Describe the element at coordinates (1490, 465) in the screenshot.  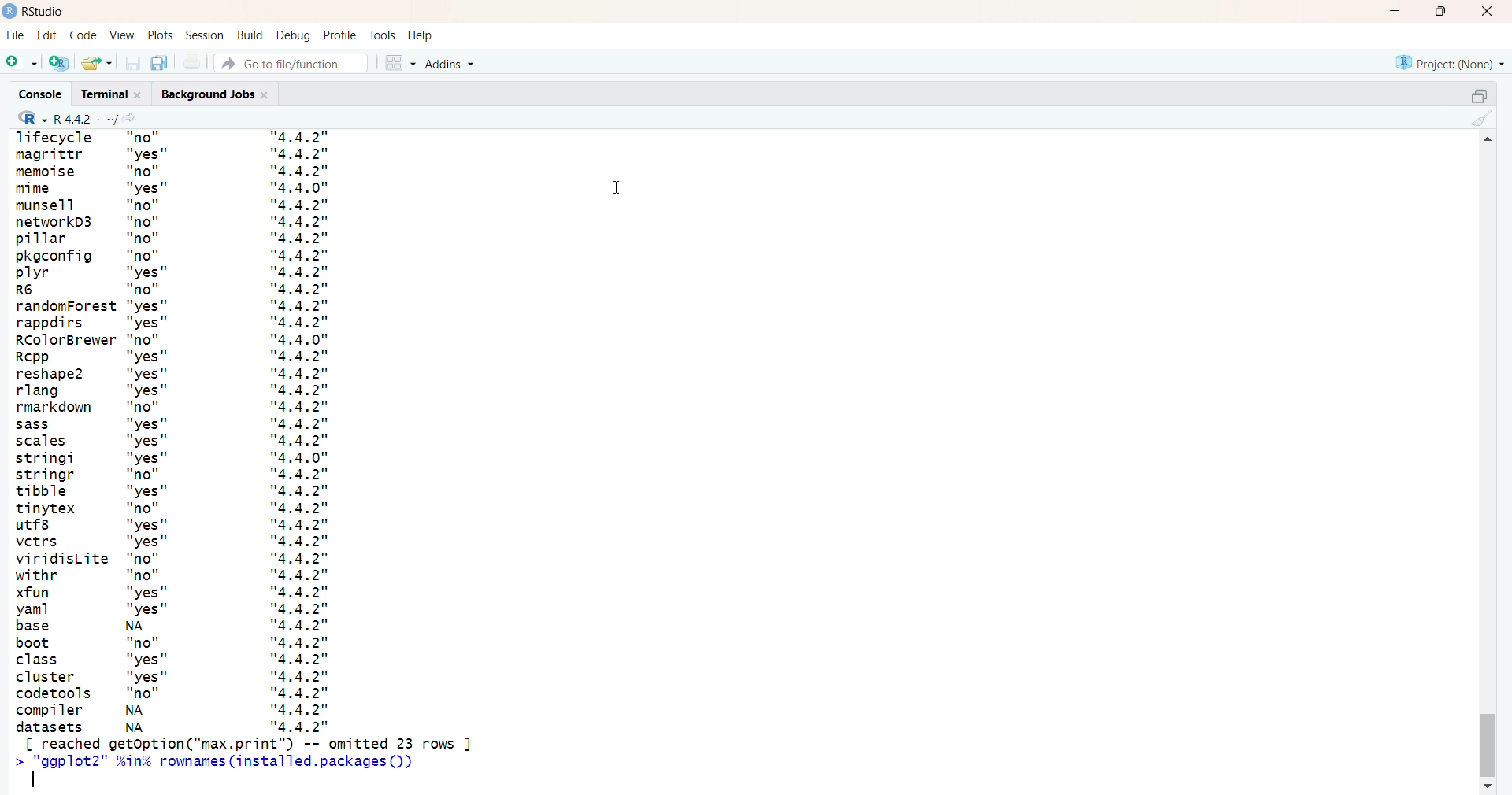
I see `scrollbar` at that location.